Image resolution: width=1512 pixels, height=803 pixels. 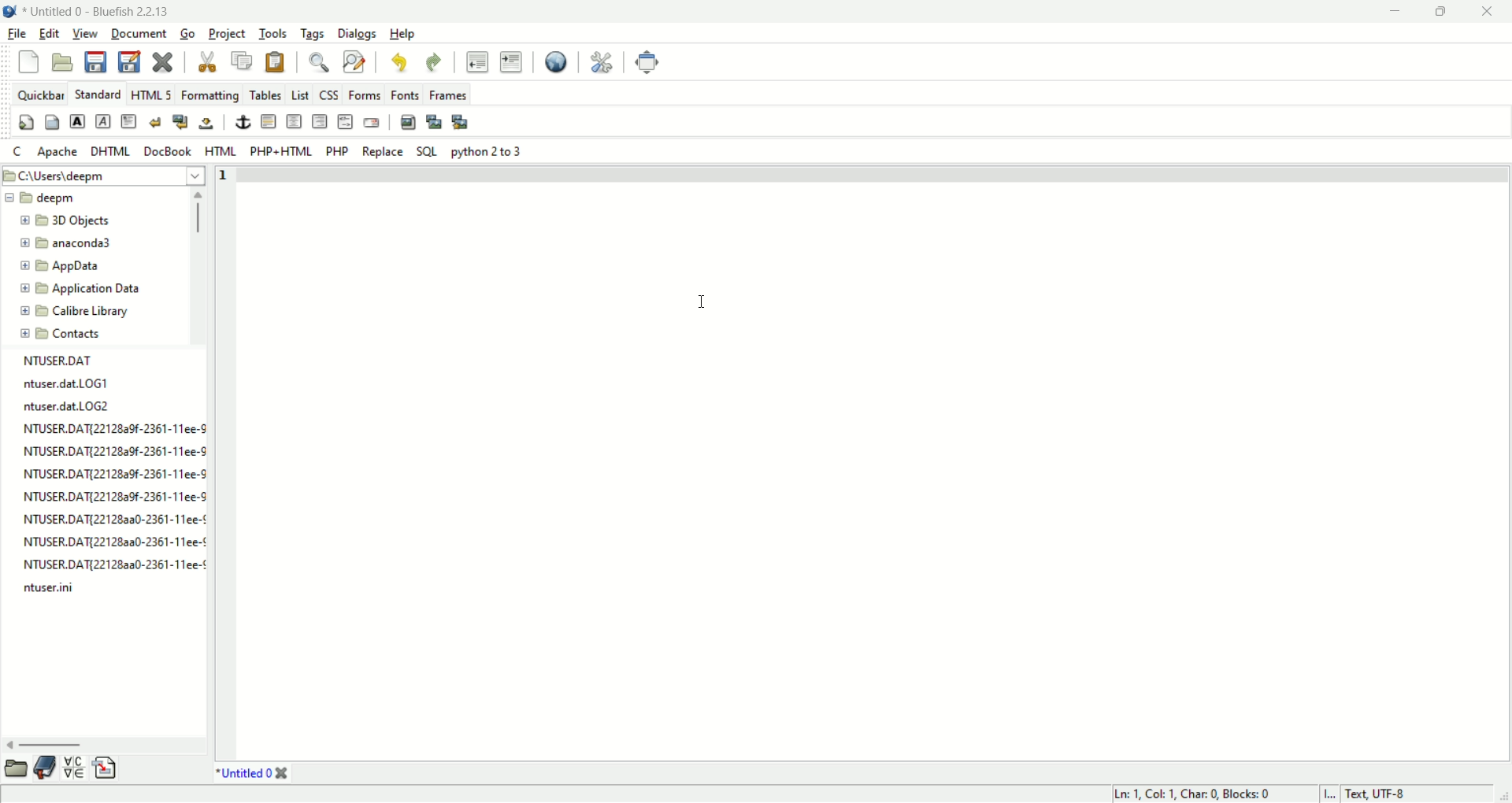 I want to click on appdata, so click(x=61, y=267).